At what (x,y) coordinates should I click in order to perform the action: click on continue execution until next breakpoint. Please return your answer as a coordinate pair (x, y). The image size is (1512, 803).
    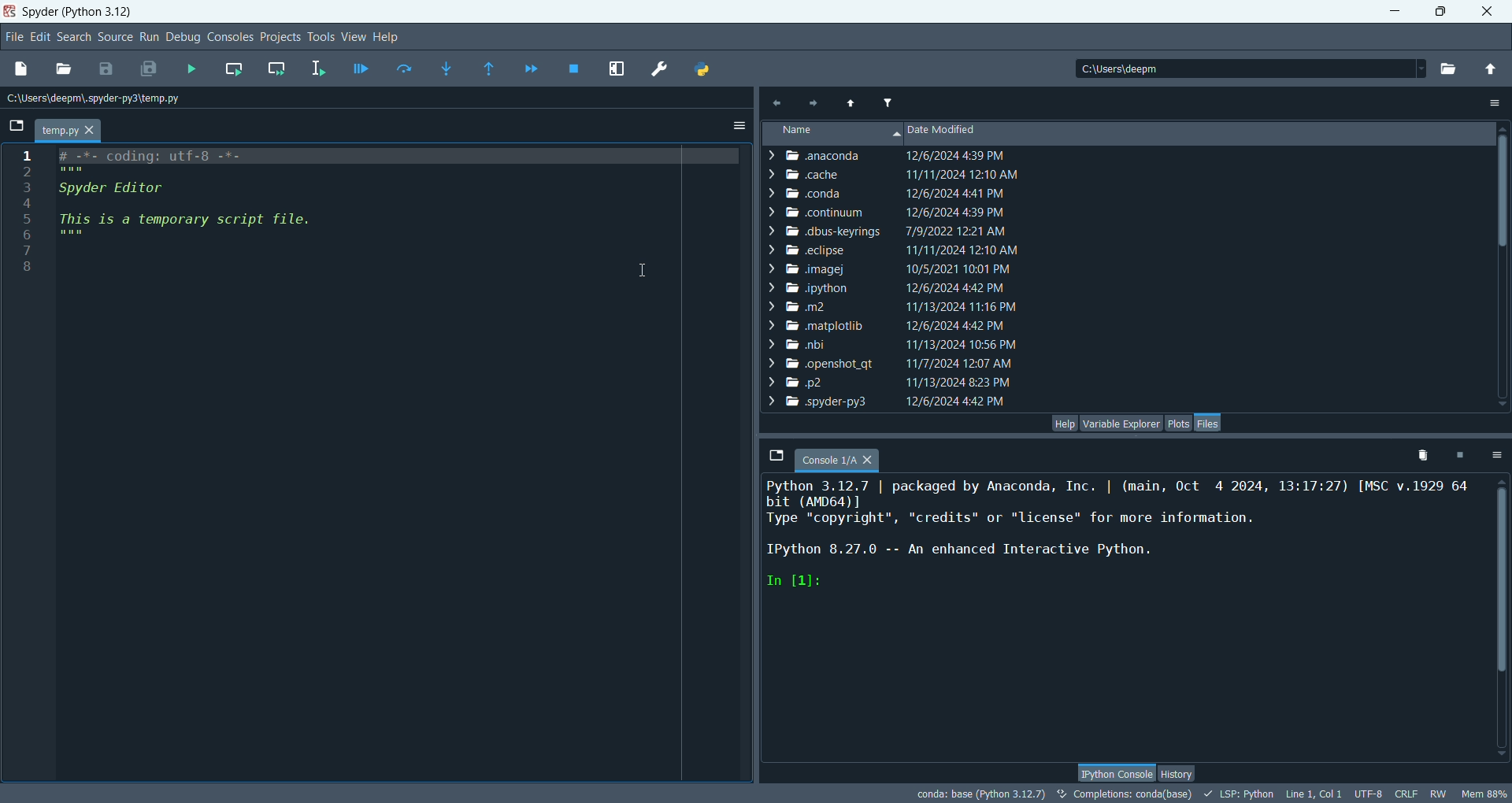
    Looking at the image, I should click on (532, 70).